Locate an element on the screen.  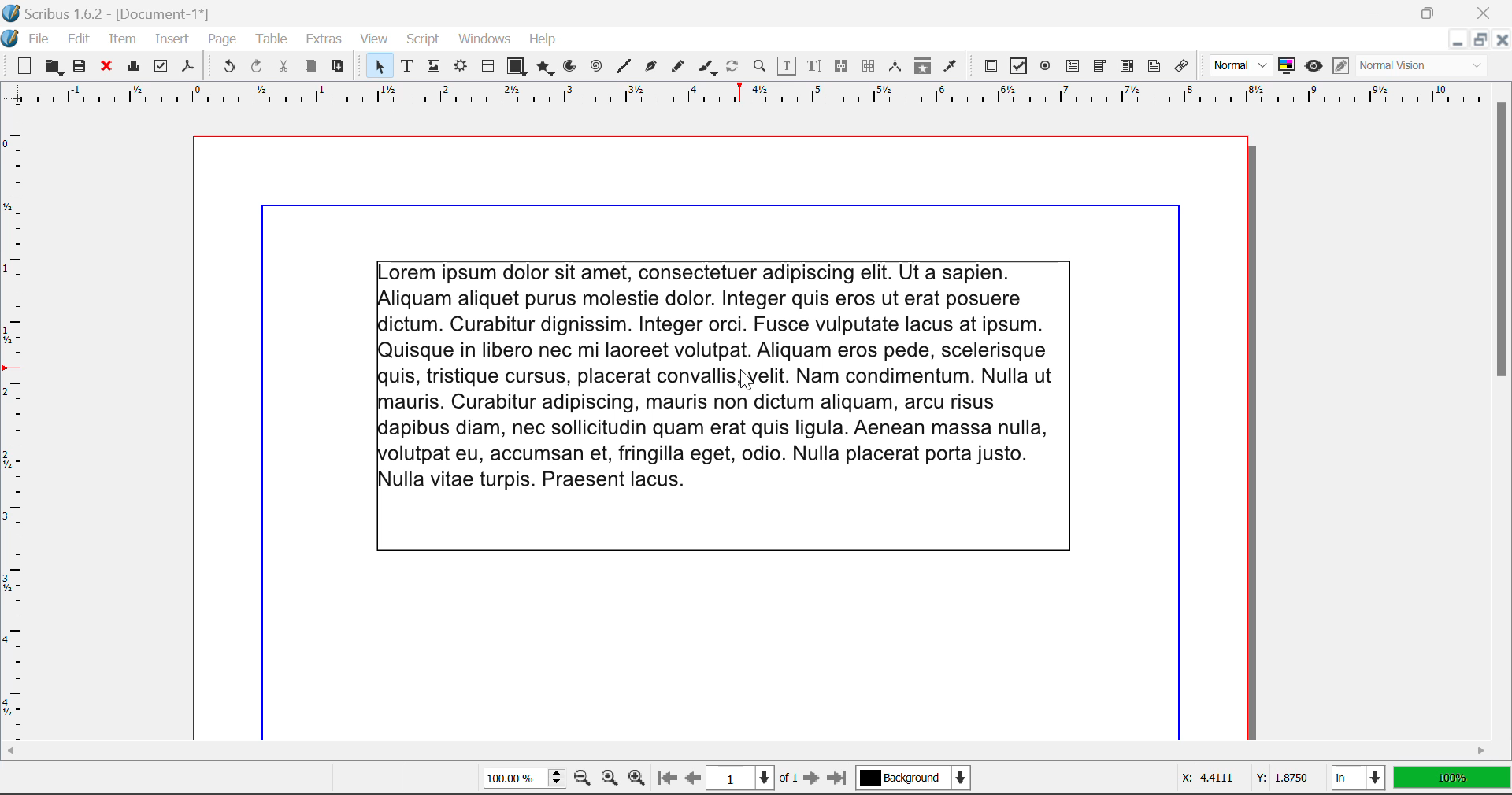
Discard is located at coordinates (106, 68).